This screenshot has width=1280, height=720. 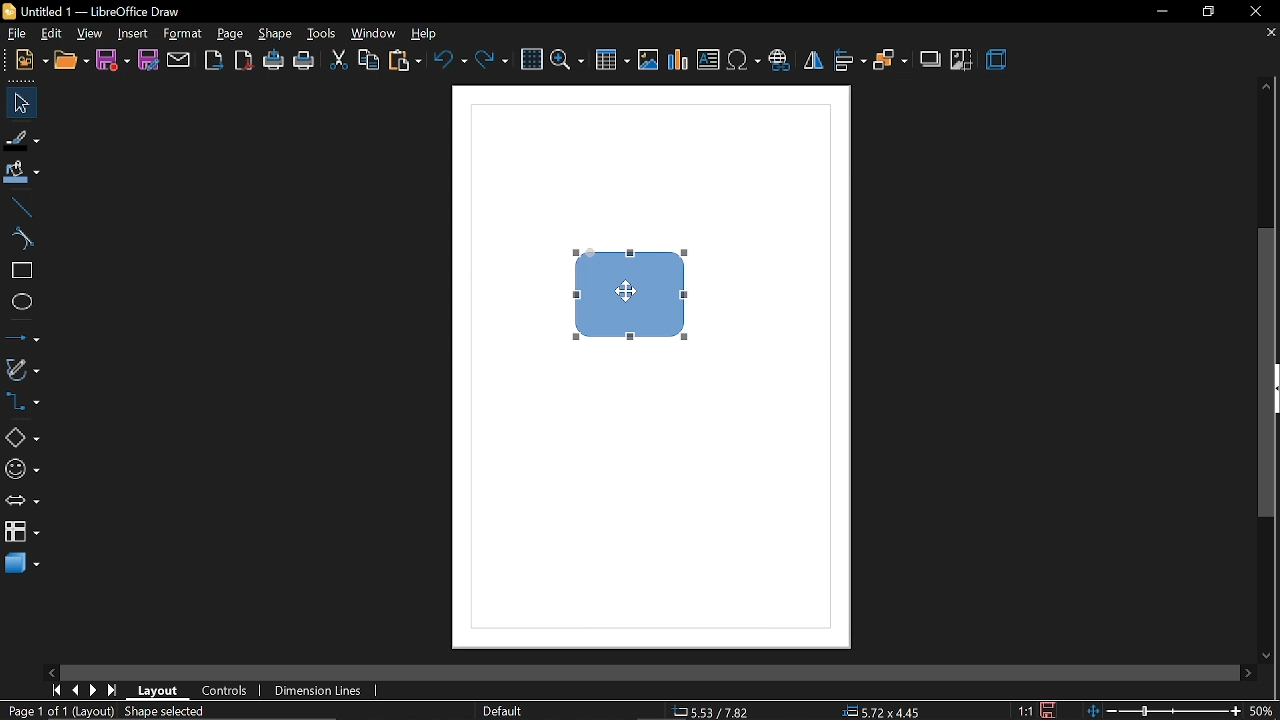 I want to click on flowchart, so click(x=22, y=532).